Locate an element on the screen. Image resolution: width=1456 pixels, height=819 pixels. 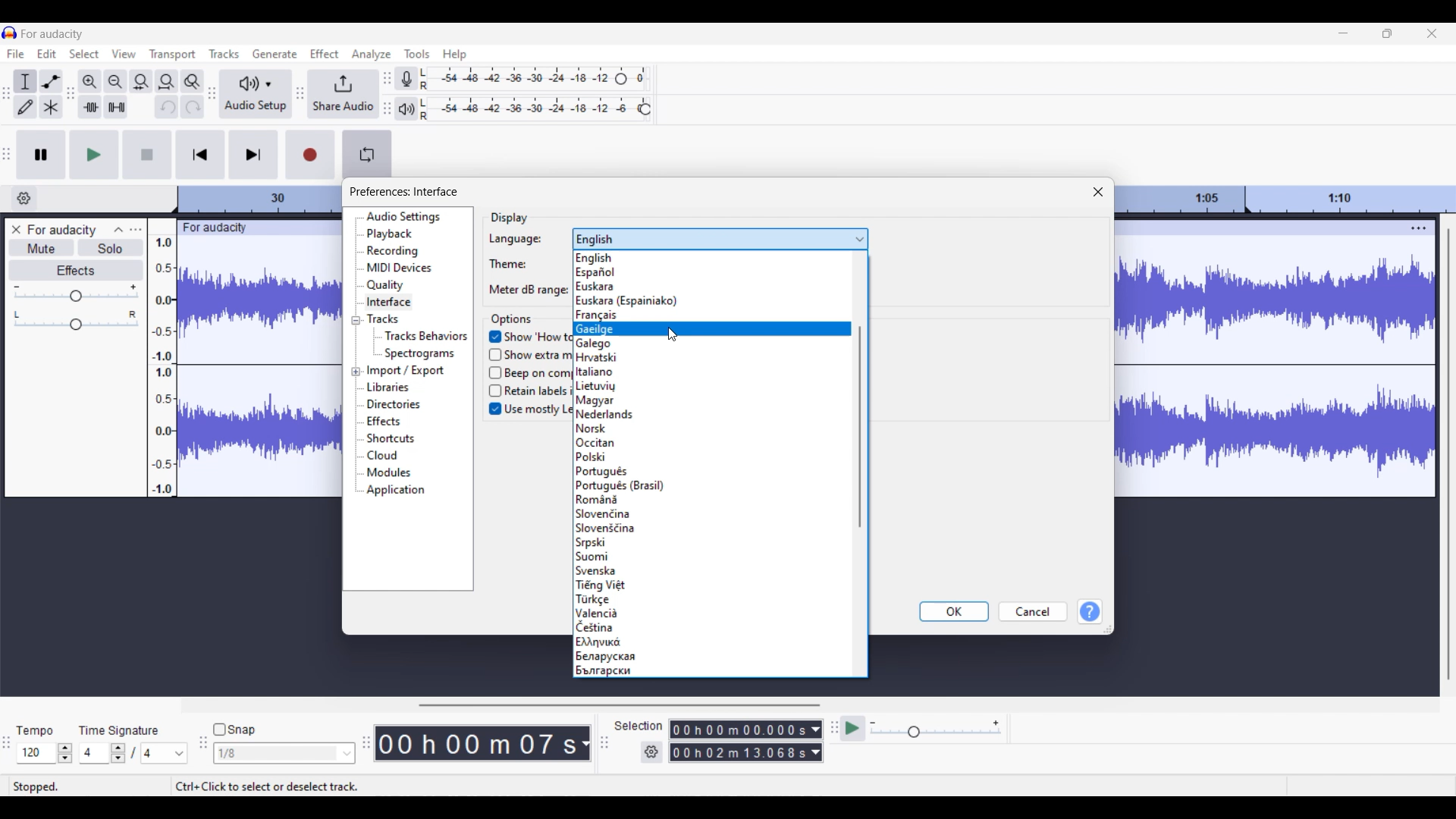
time signature is located at coordinates (120, 730).